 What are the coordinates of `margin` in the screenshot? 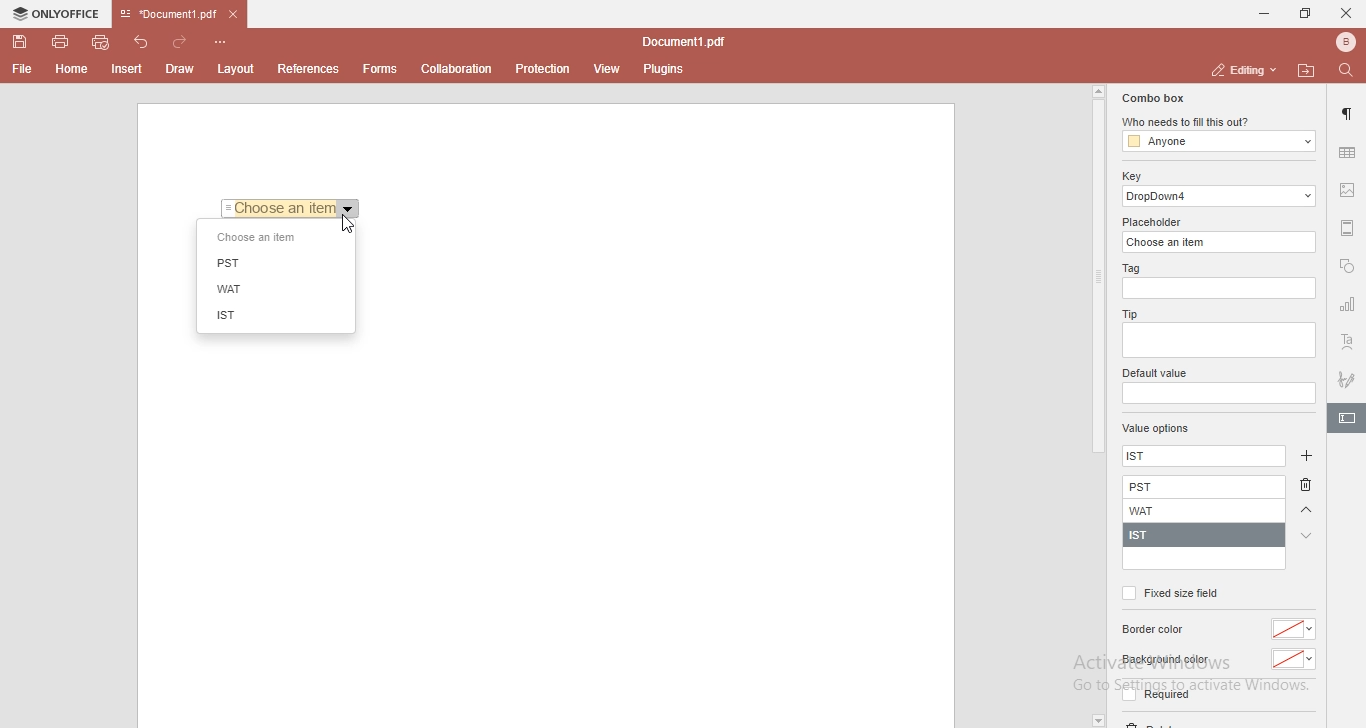 It's located at (1348, 226).